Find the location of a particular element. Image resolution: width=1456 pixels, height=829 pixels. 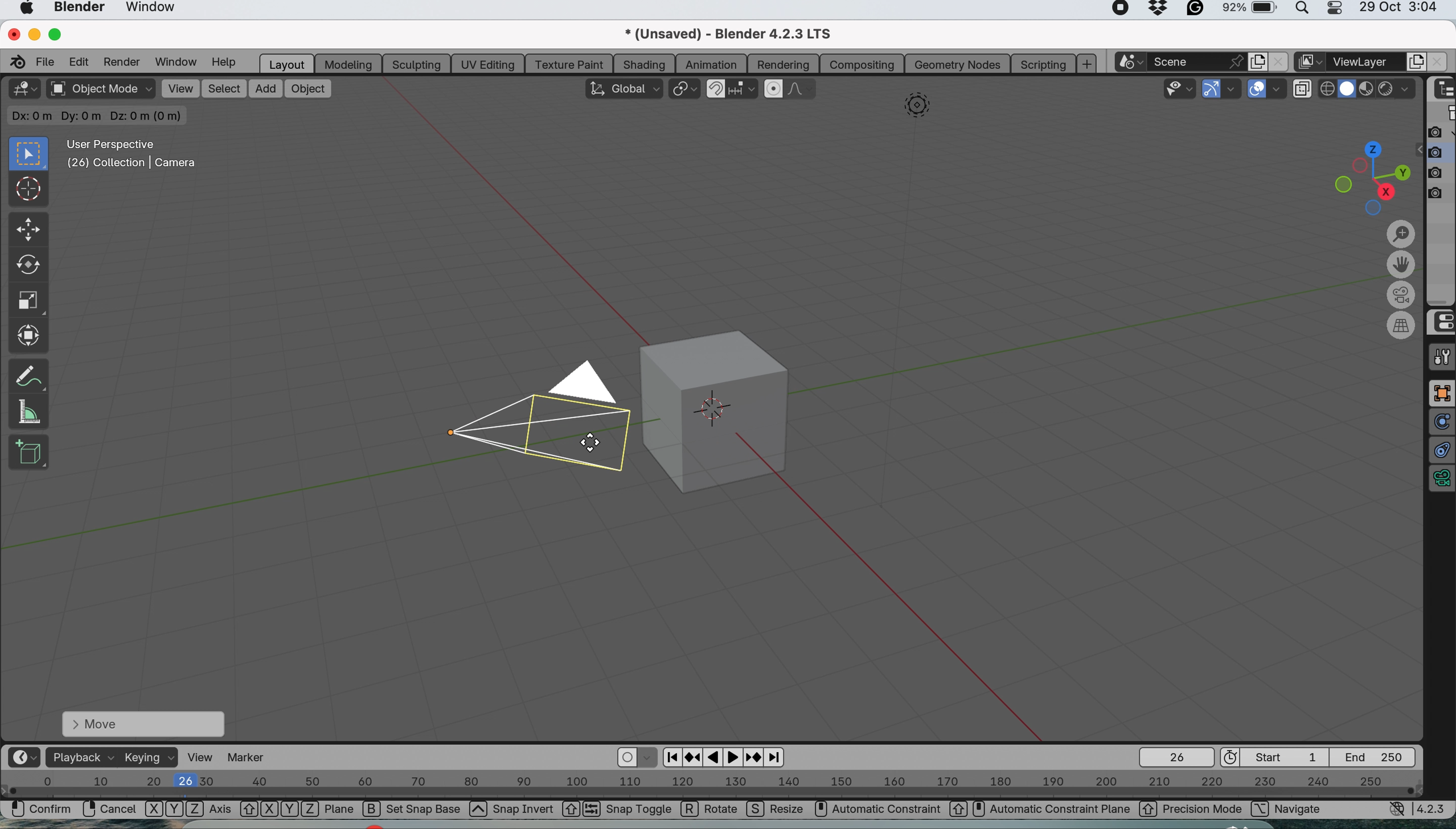

maximise is located at coordinates (59, 34).